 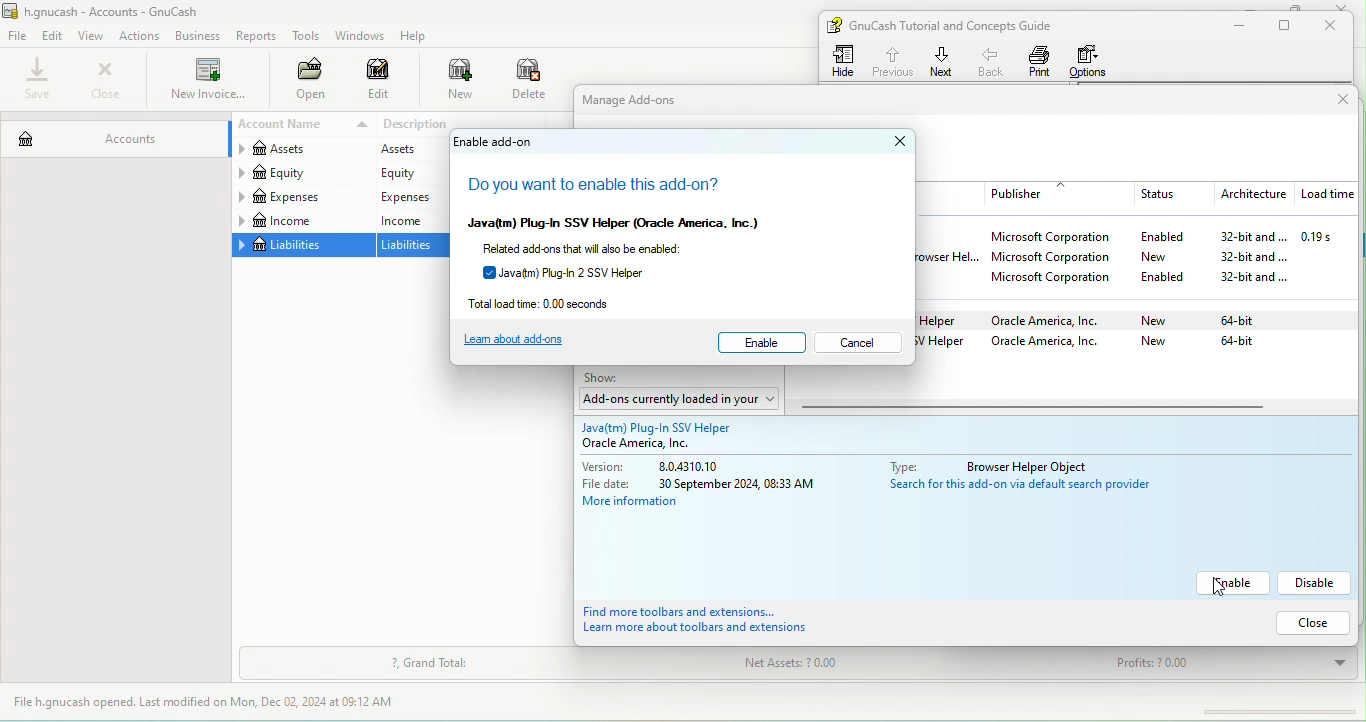 What do you see at coordinates (1059, 194) in the screenshot?
I see `publisher` at bounding box center [1059, 194].